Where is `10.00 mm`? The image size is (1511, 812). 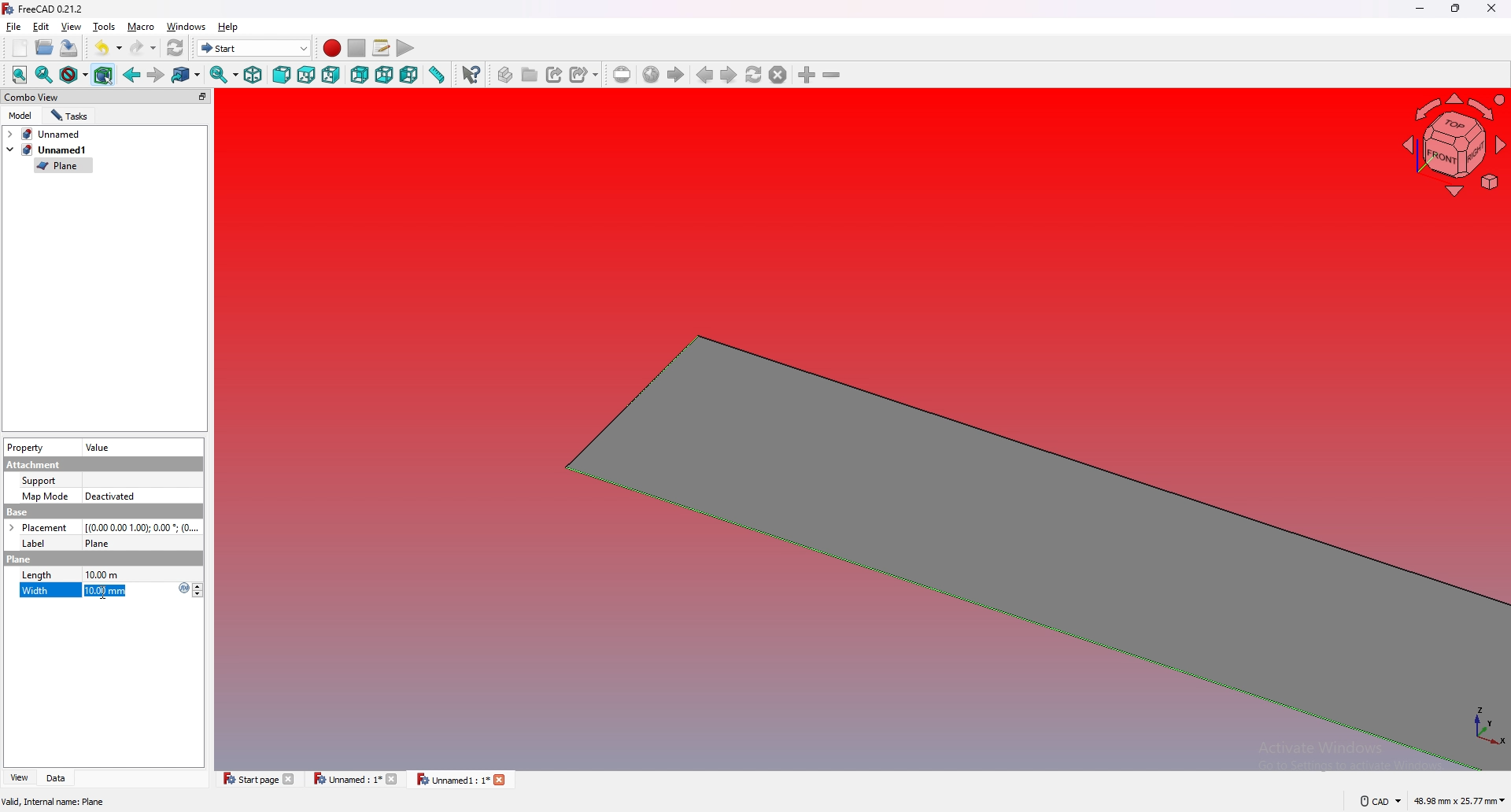
10.00 mm is located at coordinates (143, 591).